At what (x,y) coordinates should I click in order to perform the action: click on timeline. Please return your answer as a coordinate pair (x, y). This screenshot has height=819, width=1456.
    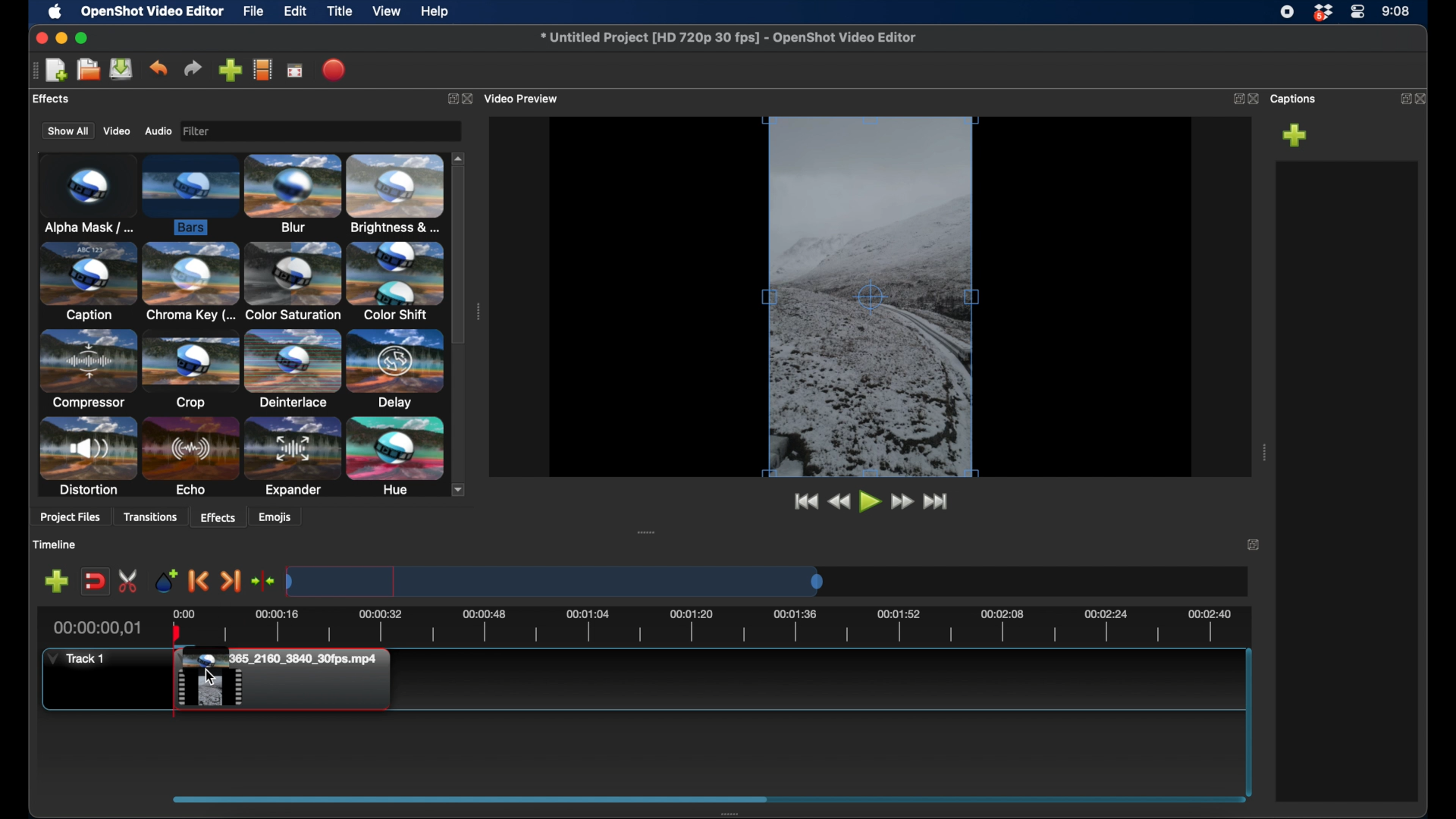
    Looking at the image, I should click on (57, 544).